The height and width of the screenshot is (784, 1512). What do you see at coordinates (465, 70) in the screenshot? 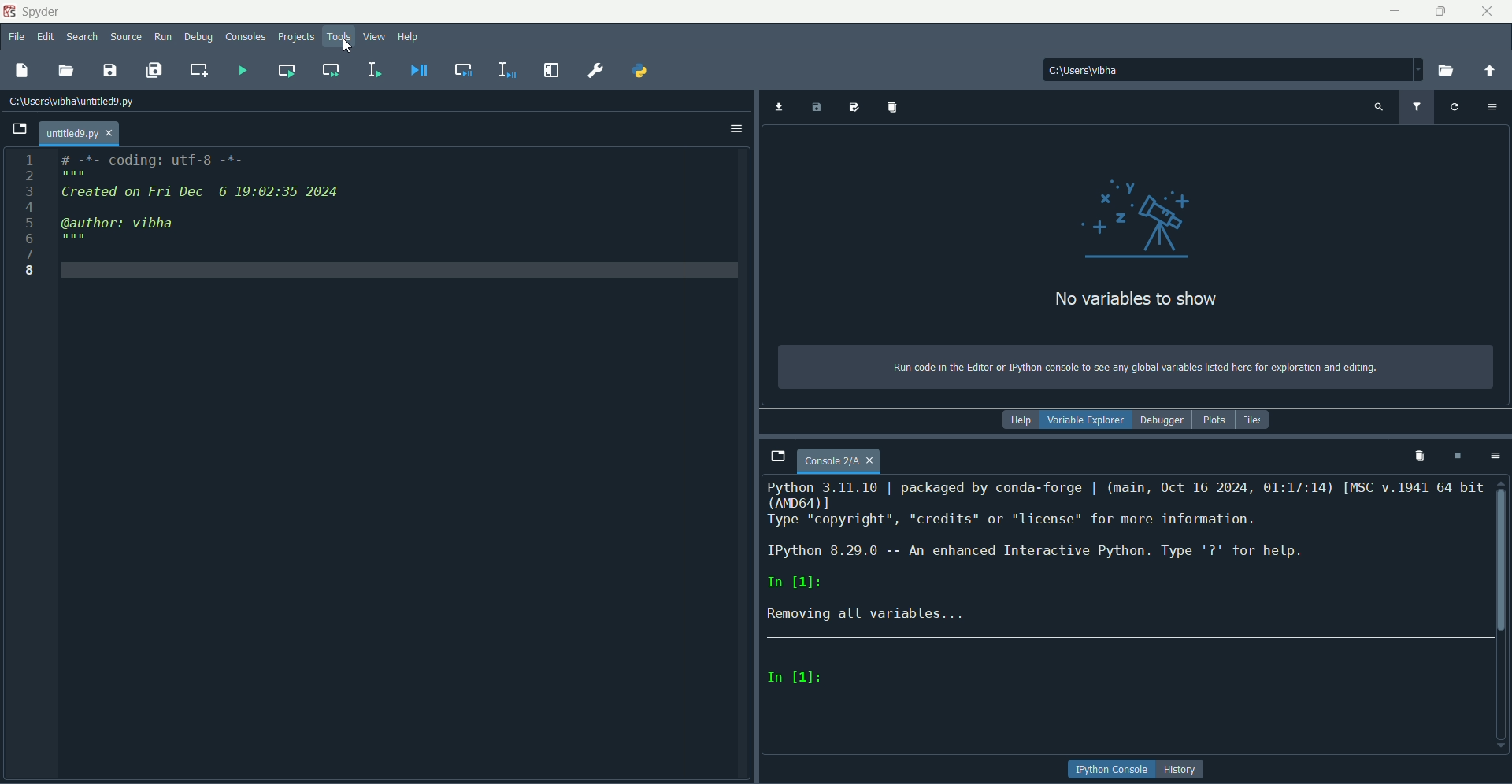
I see `debug cell` at bounding box center [465, 70].